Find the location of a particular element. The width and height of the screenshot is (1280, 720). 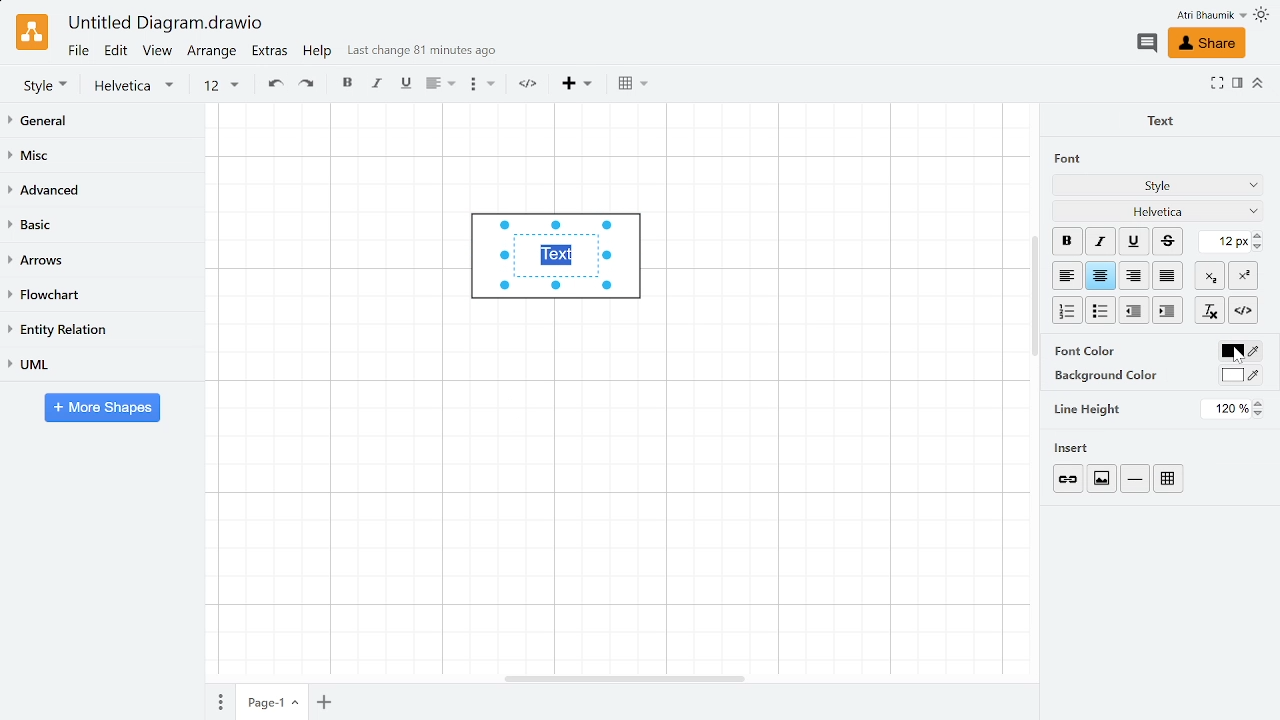

More shapes is located at coordinates (102, 409).